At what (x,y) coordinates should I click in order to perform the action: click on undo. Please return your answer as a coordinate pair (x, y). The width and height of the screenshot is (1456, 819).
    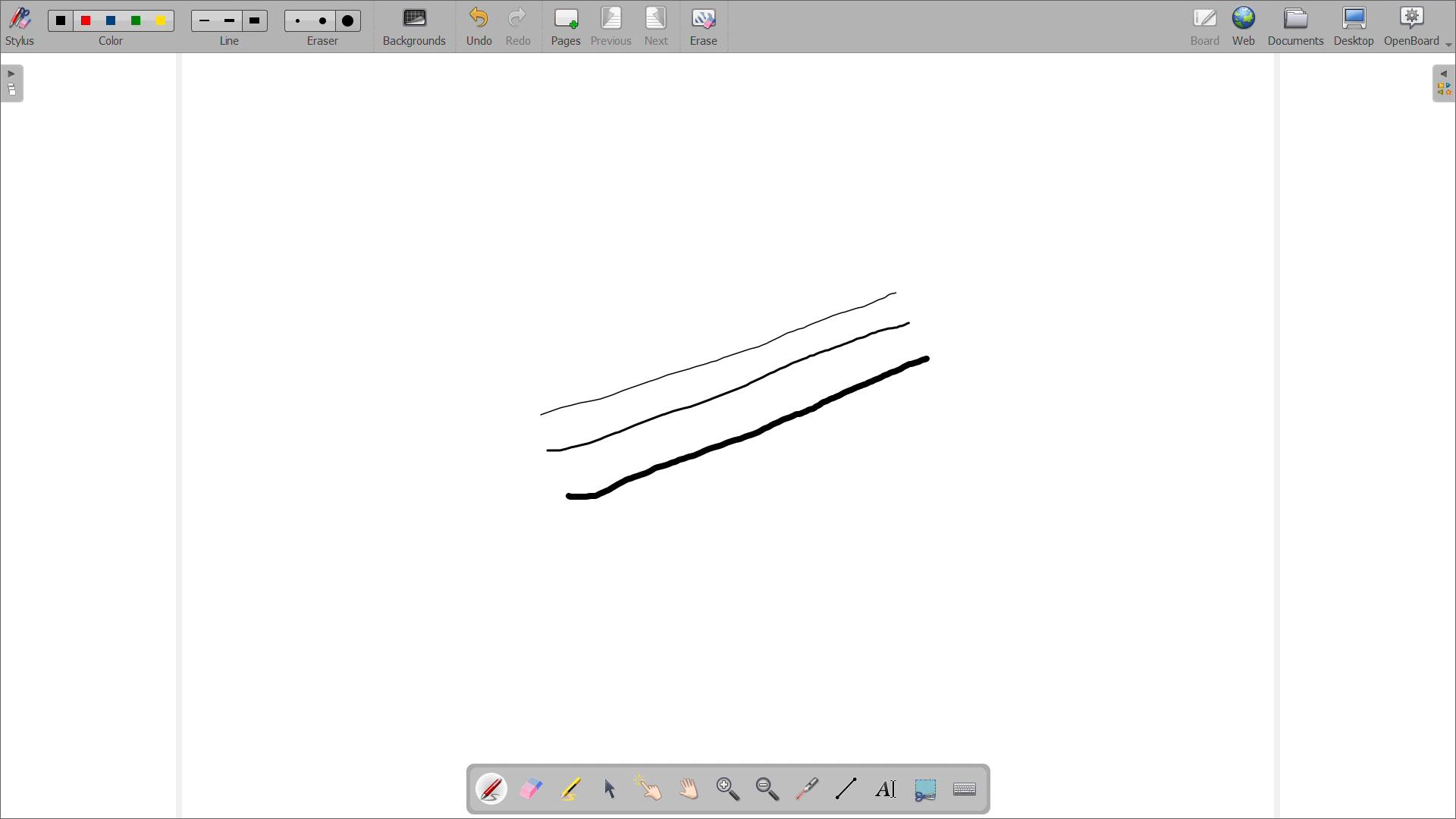
    Looking at the image, I should click on (479, 26).